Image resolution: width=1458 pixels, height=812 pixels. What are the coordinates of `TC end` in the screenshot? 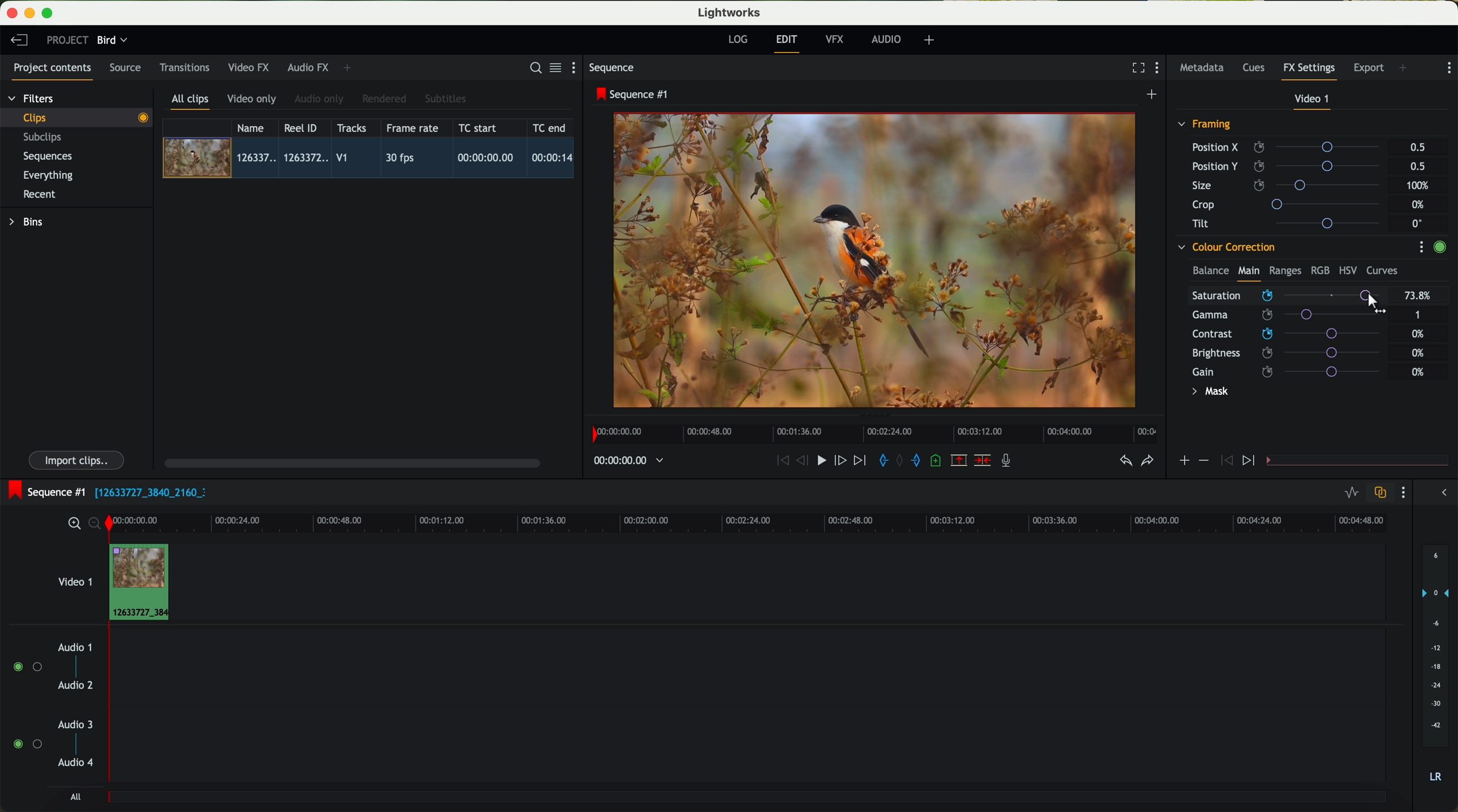 It's located at (550, 127).